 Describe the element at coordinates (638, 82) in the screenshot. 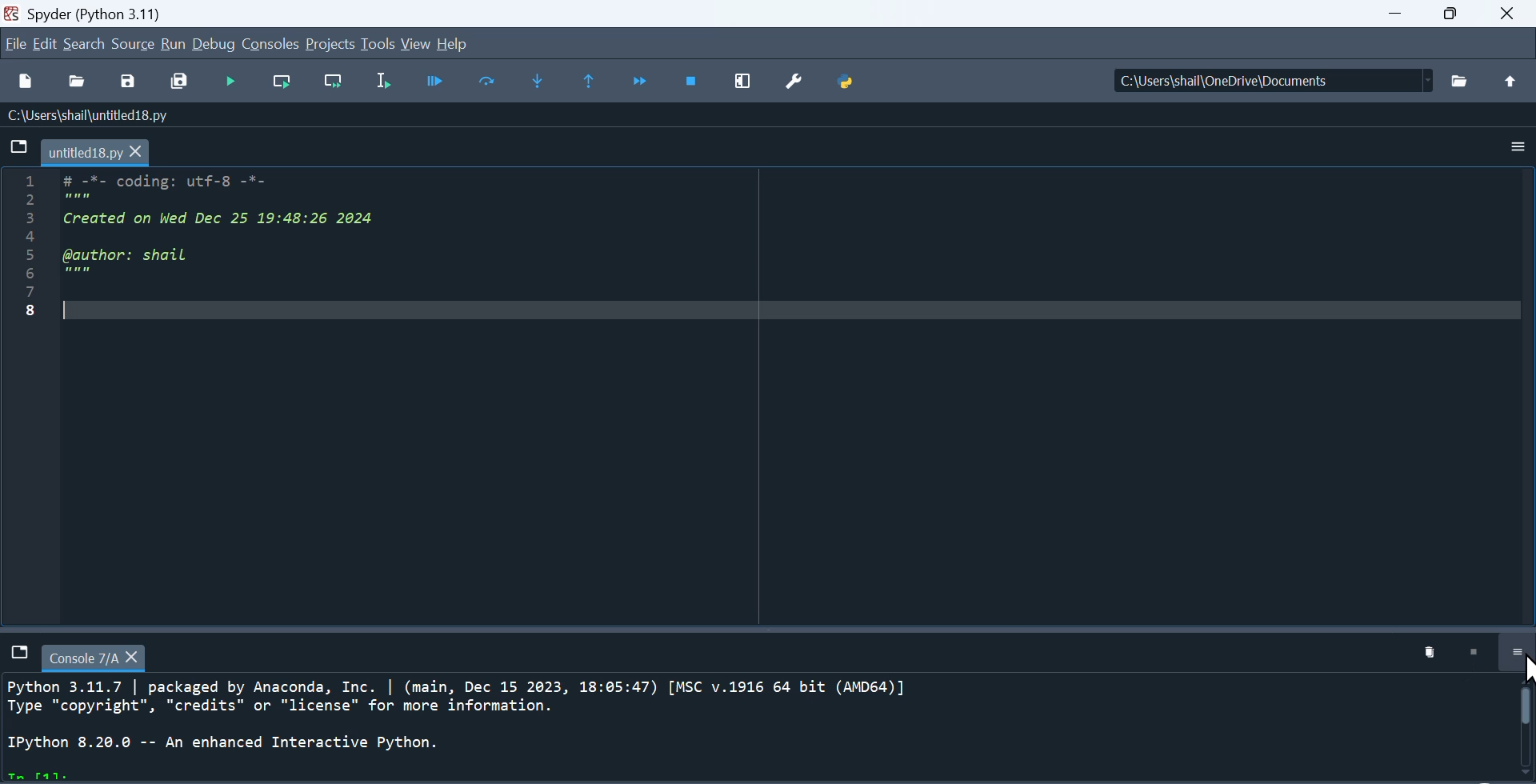

I see `continue execution` at that location.